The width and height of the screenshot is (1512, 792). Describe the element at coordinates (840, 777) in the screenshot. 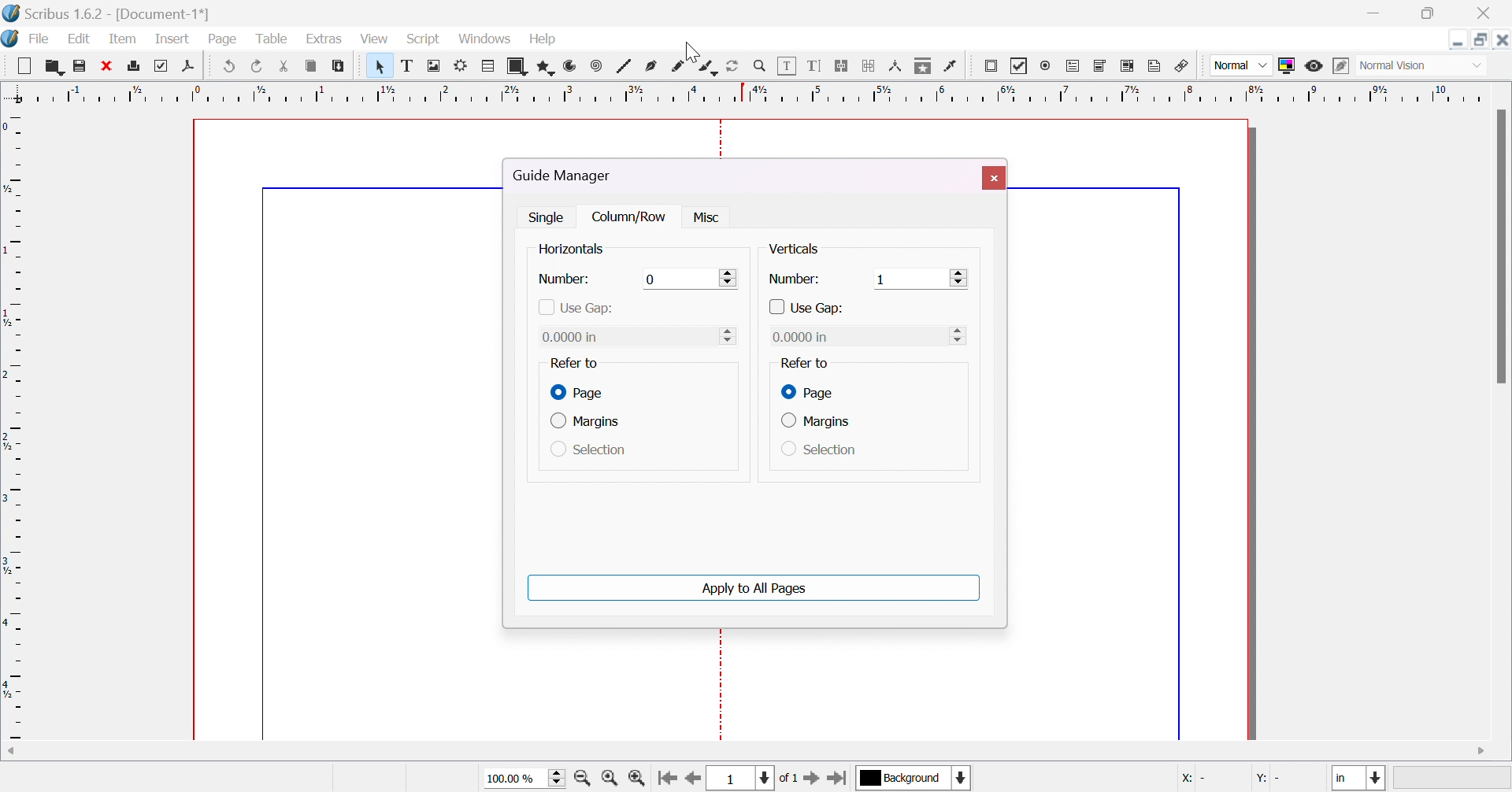

I see `go to last page` at that location.